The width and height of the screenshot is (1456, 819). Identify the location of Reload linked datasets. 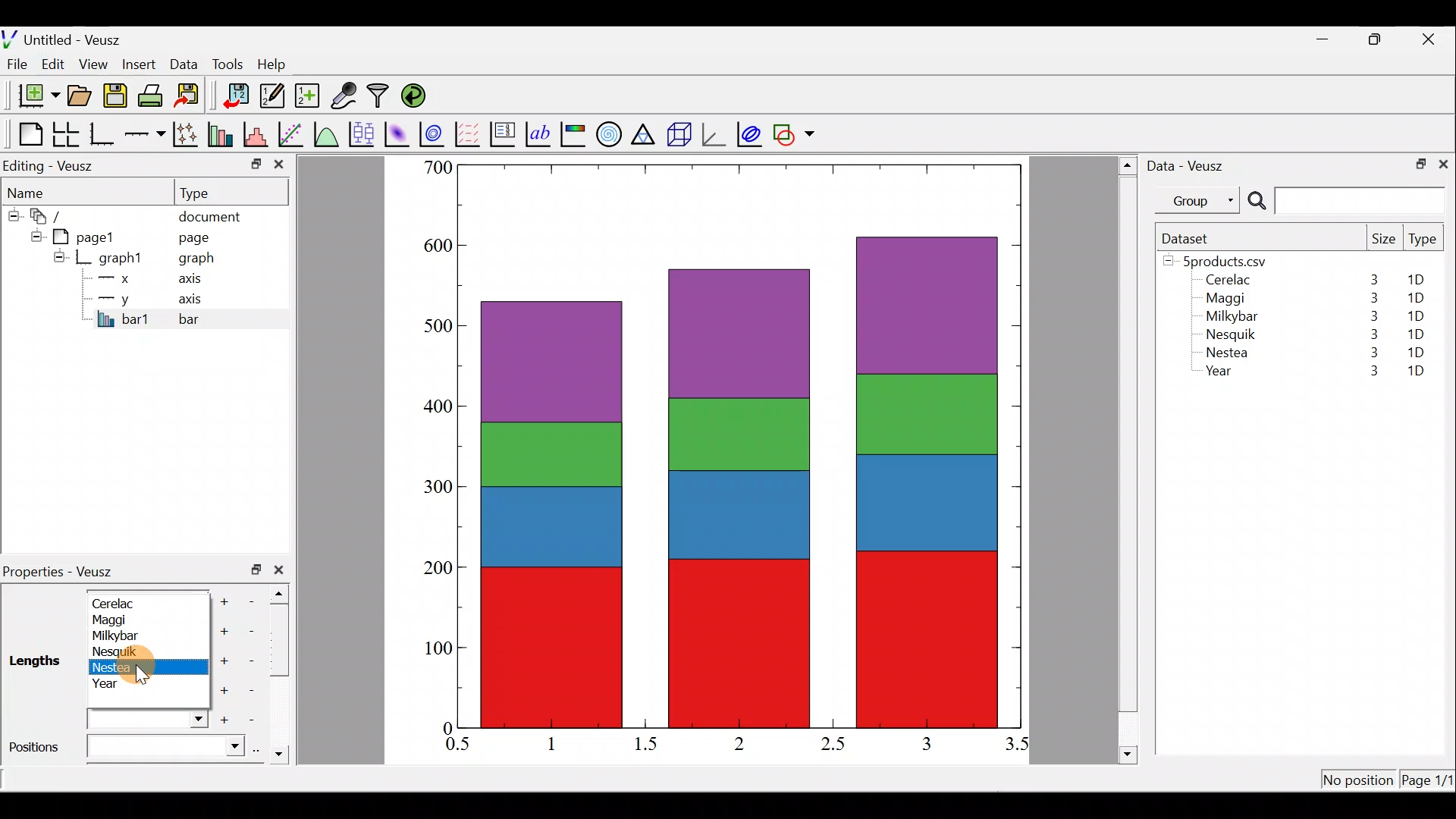
(417, 95).